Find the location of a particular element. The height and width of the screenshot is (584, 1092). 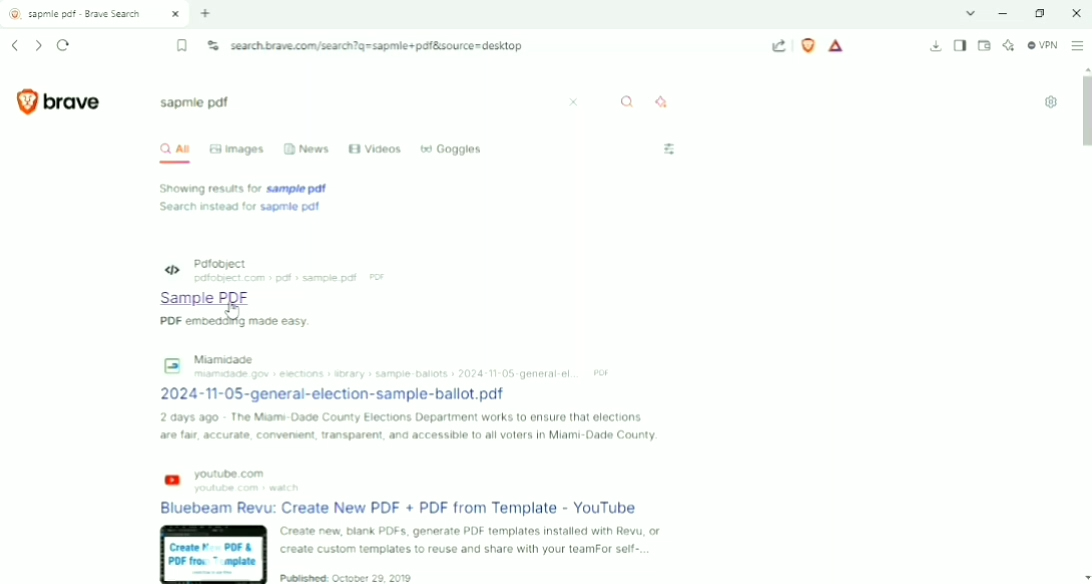

Mamidade is located at coordinates (226, 357).